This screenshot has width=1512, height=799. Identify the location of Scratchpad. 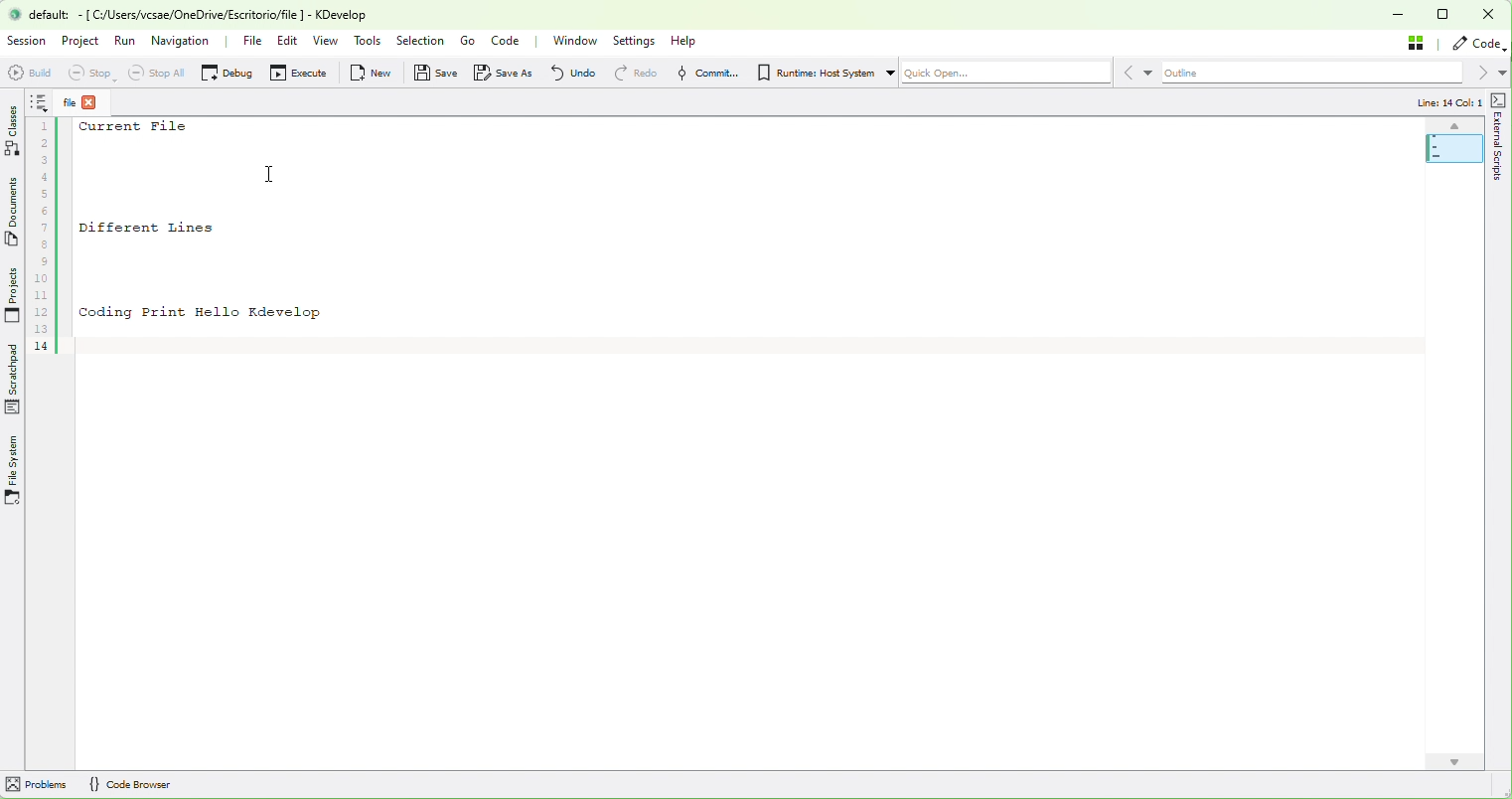
(14, 379).